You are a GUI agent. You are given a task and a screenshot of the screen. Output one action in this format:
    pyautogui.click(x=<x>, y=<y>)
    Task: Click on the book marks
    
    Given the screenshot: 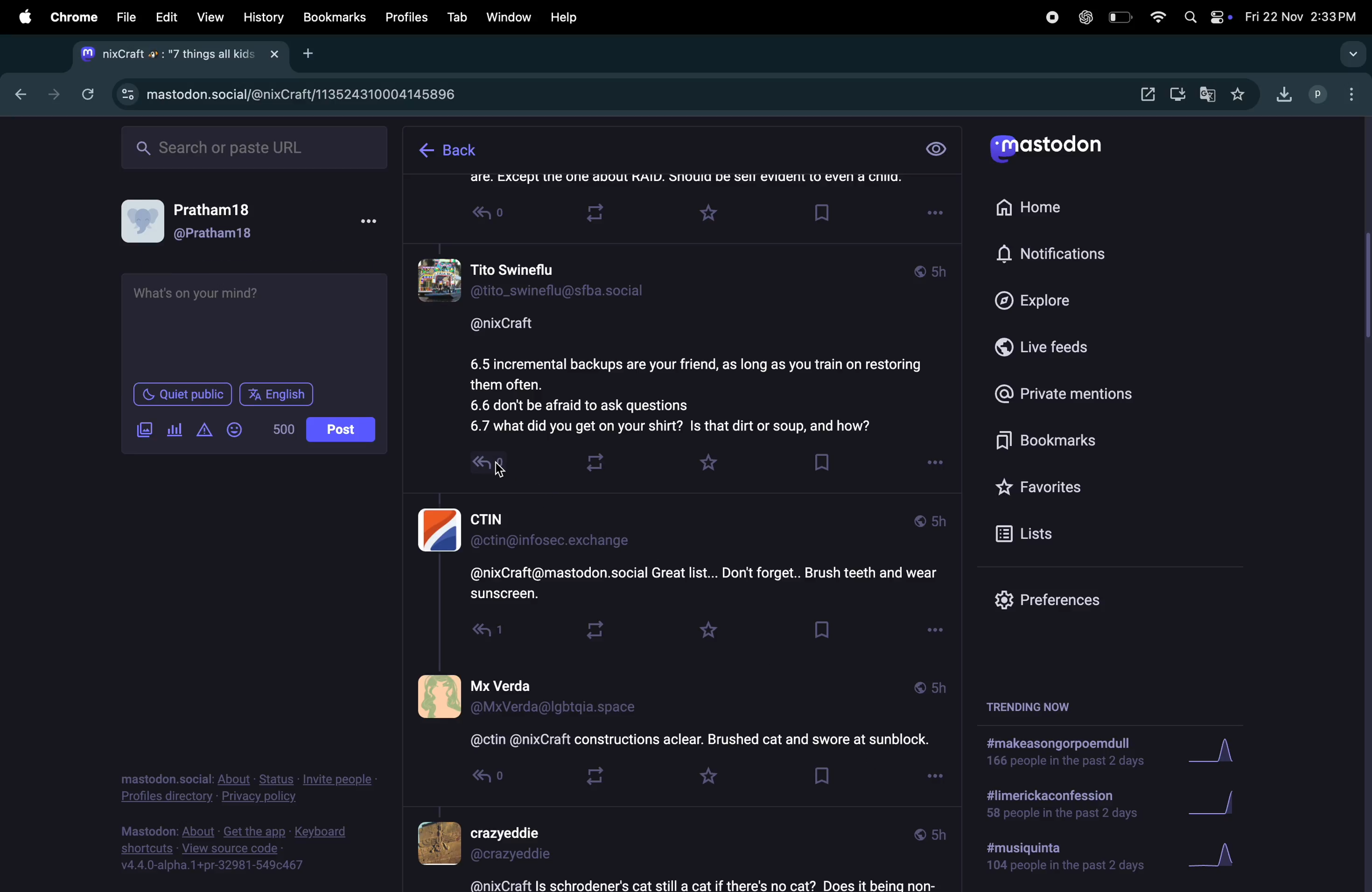 What is the action you would take?
    pyautogui.click(x=1077, y=443)
    